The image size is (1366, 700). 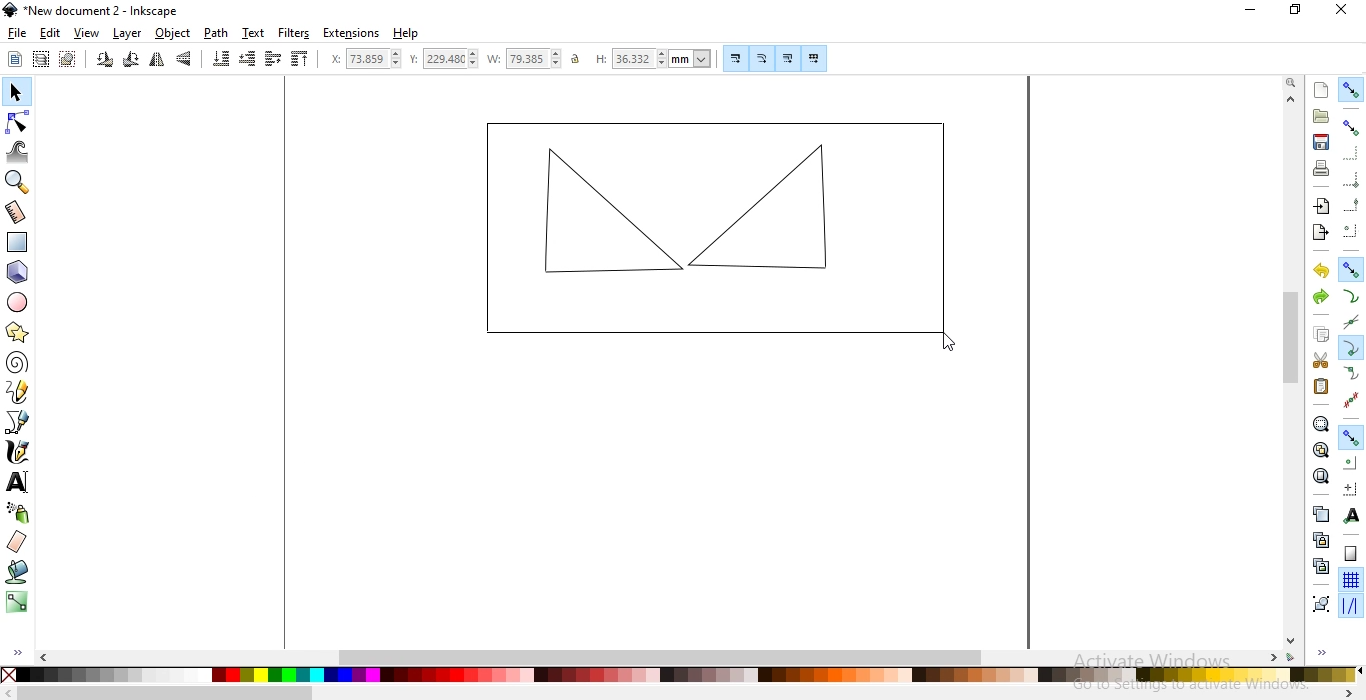 What do you see at coordinates (104, 60) in the screenshot?
I see `rotate 90 counter clockwise` at bounding box center [104, 60].